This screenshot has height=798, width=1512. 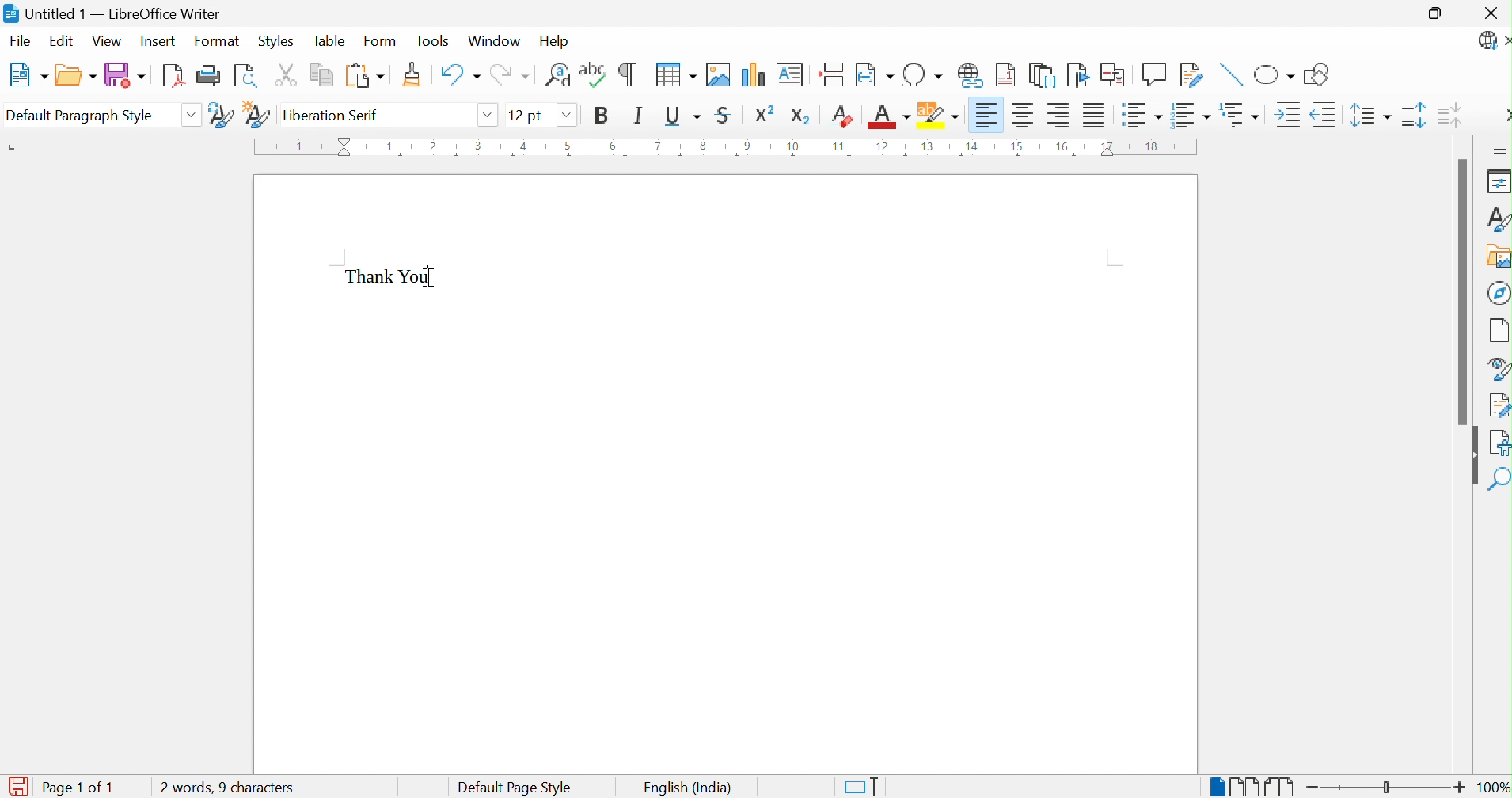 What do you see at coordinates (108, 42) in the screenshot?
I see `View` at bounding box center [108, 42].